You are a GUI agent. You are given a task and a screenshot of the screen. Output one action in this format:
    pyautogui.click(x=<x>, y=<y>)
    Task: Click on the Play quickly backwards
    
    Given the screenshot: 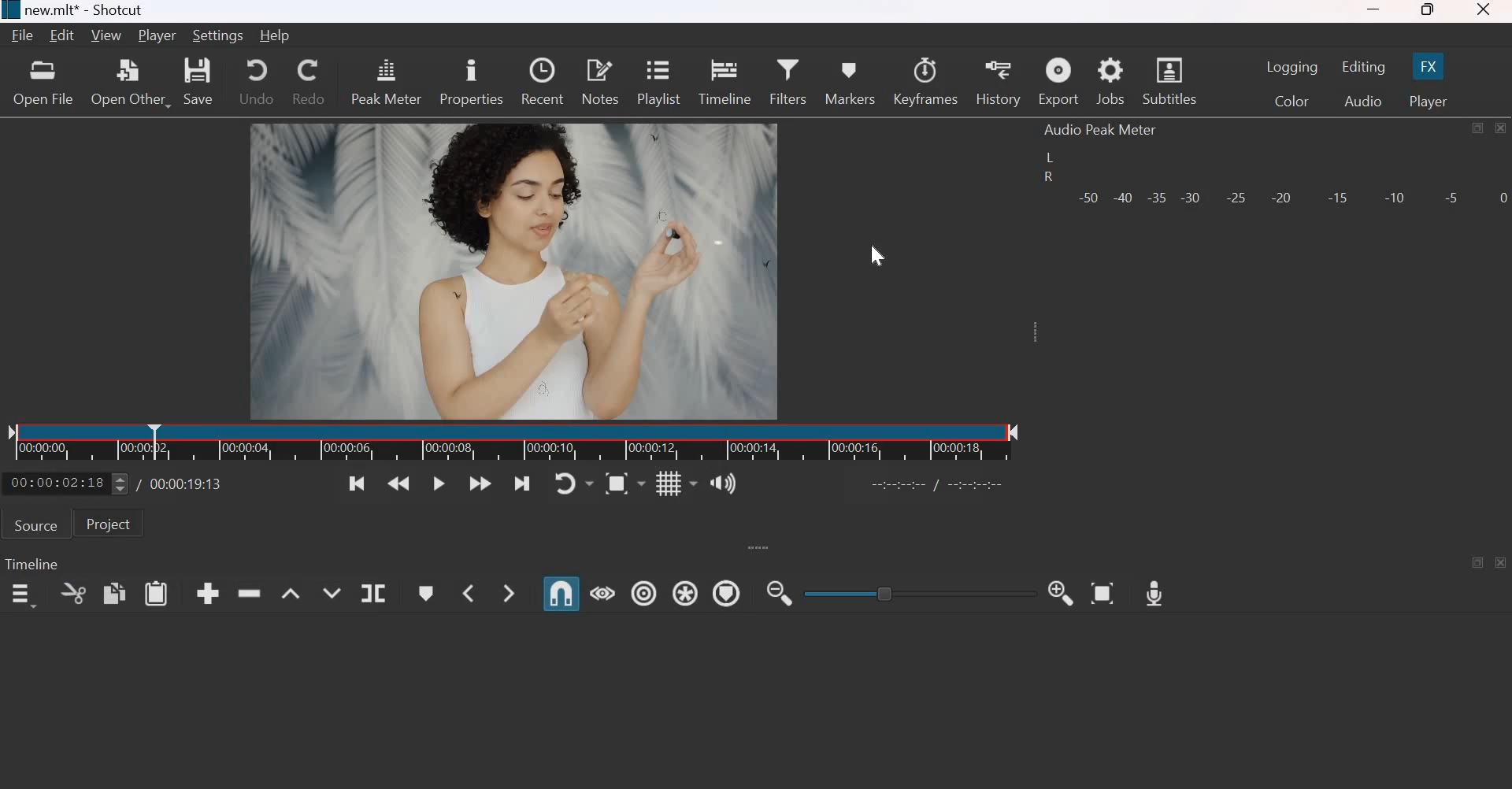 What is the action you would take?
    pyautogui.click(x=402, y=483)
    